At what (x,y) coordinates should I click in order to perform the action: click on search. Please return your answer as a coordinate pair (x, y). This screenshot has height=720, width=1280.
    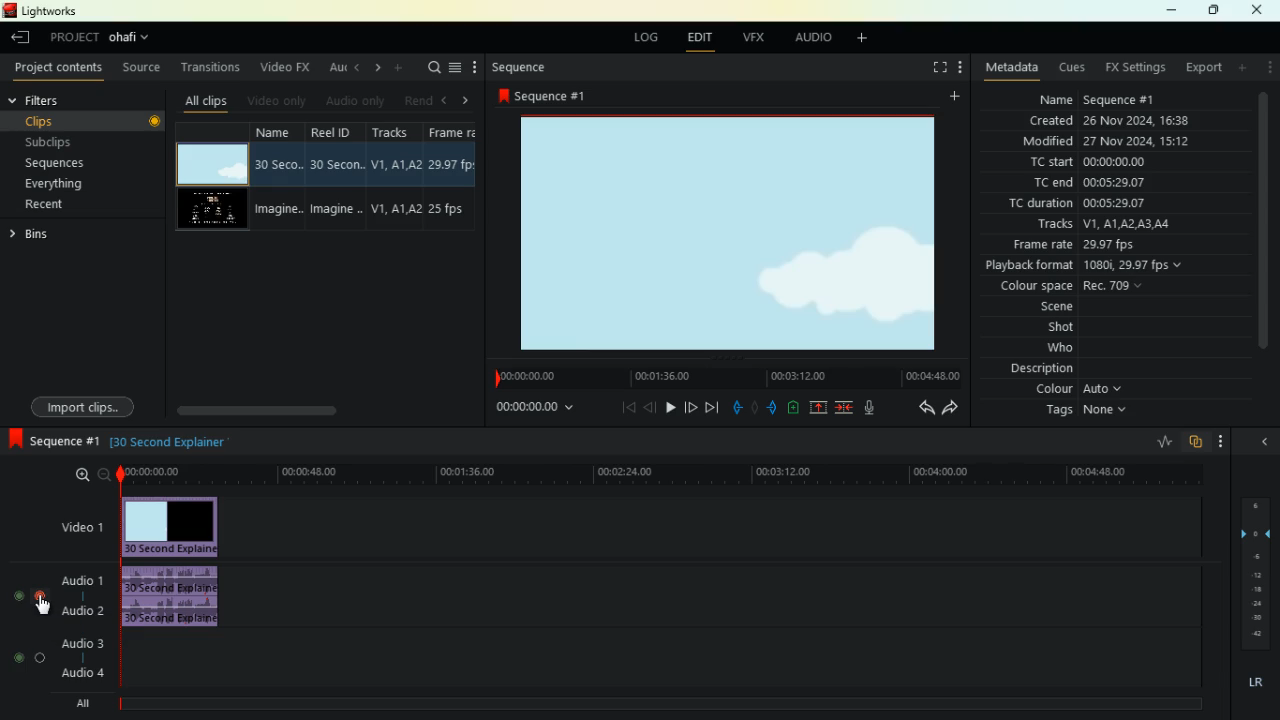
    Looking at the image, I should click on (432, 68).